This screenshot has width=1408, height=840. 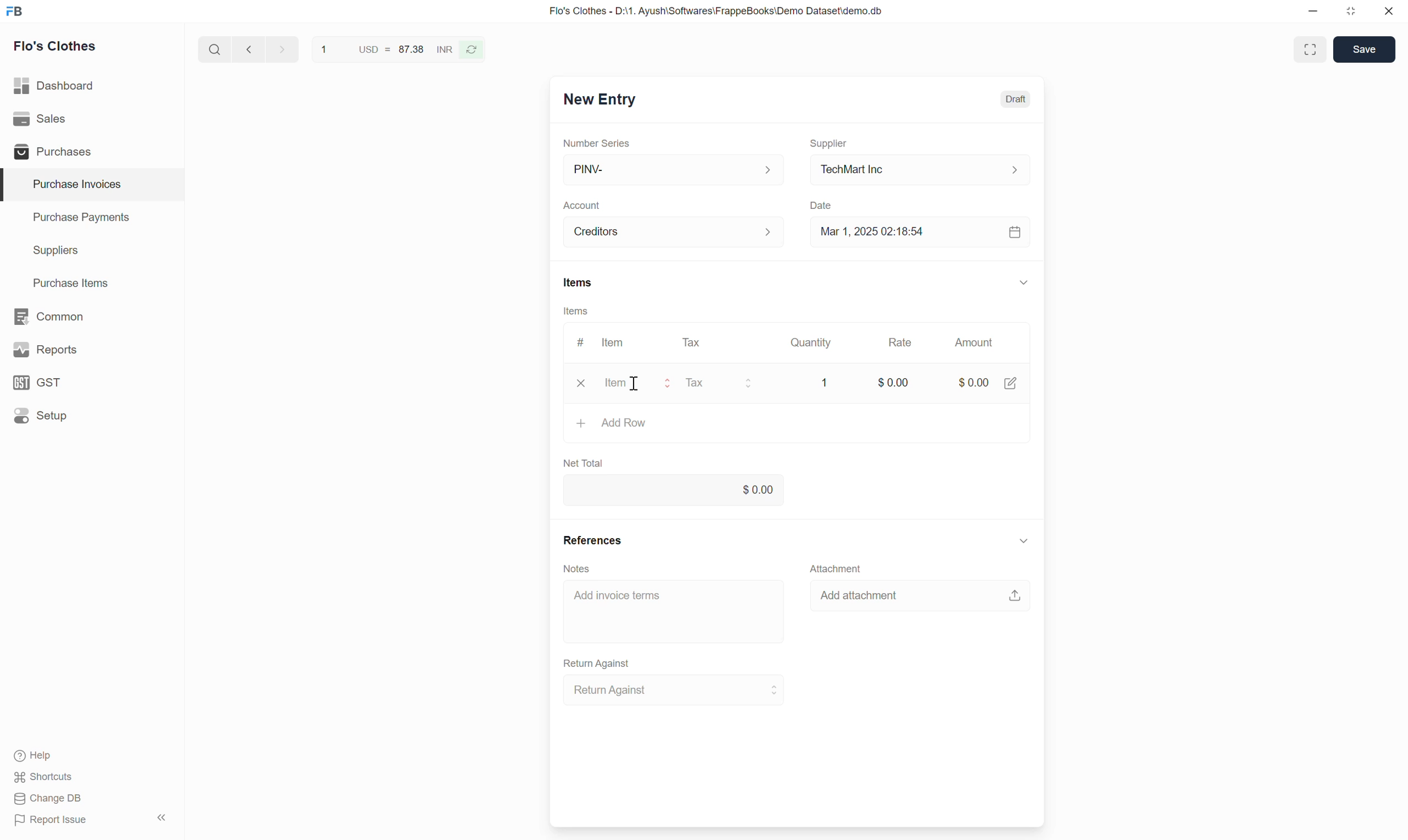 What do you see at coordinates (1351, 11) in the screenshot?
I see `Change dimension` at bounding box center [1351, 11].